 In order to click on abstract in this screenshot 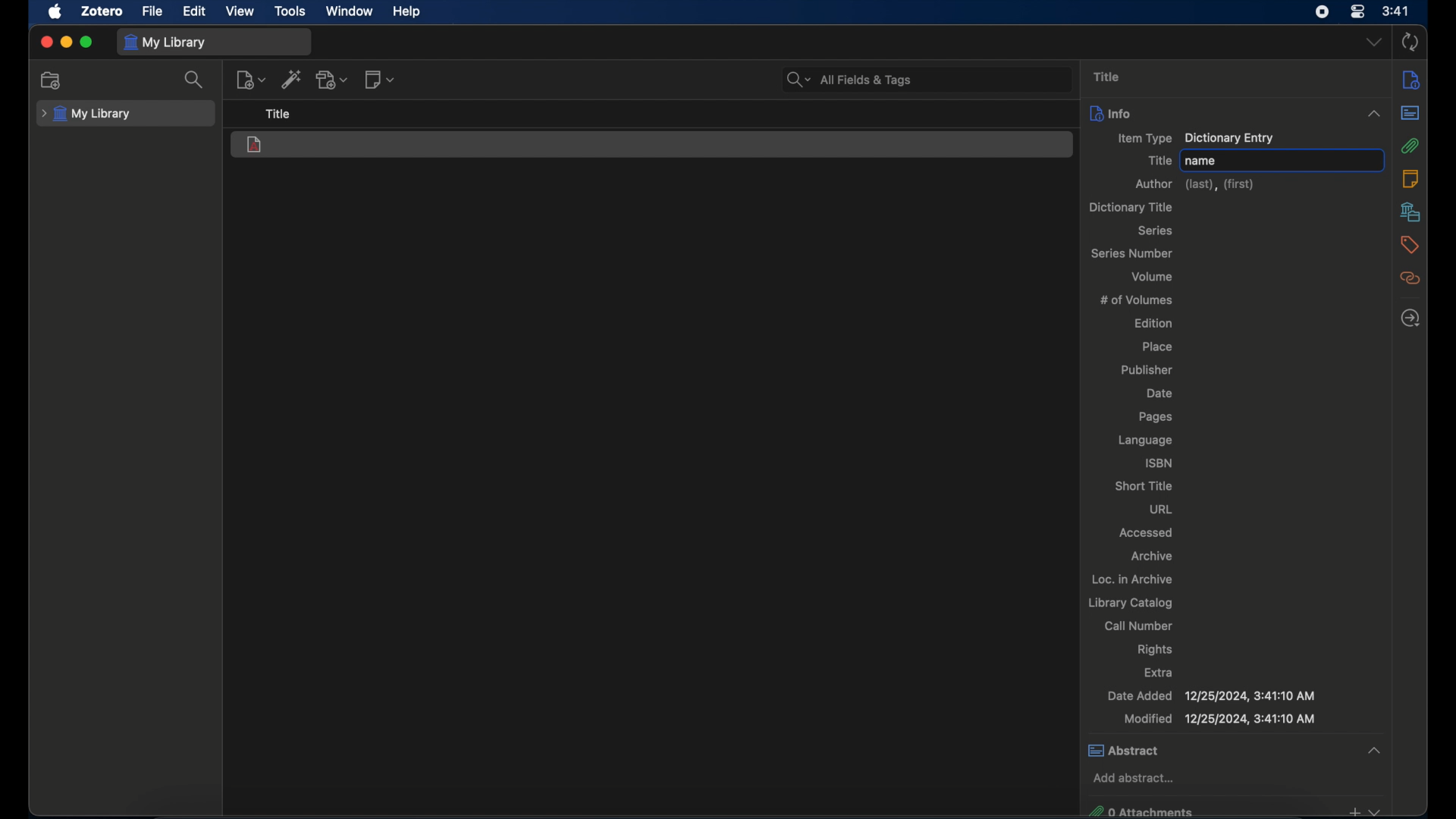, I will do `click(1410, 113)`.